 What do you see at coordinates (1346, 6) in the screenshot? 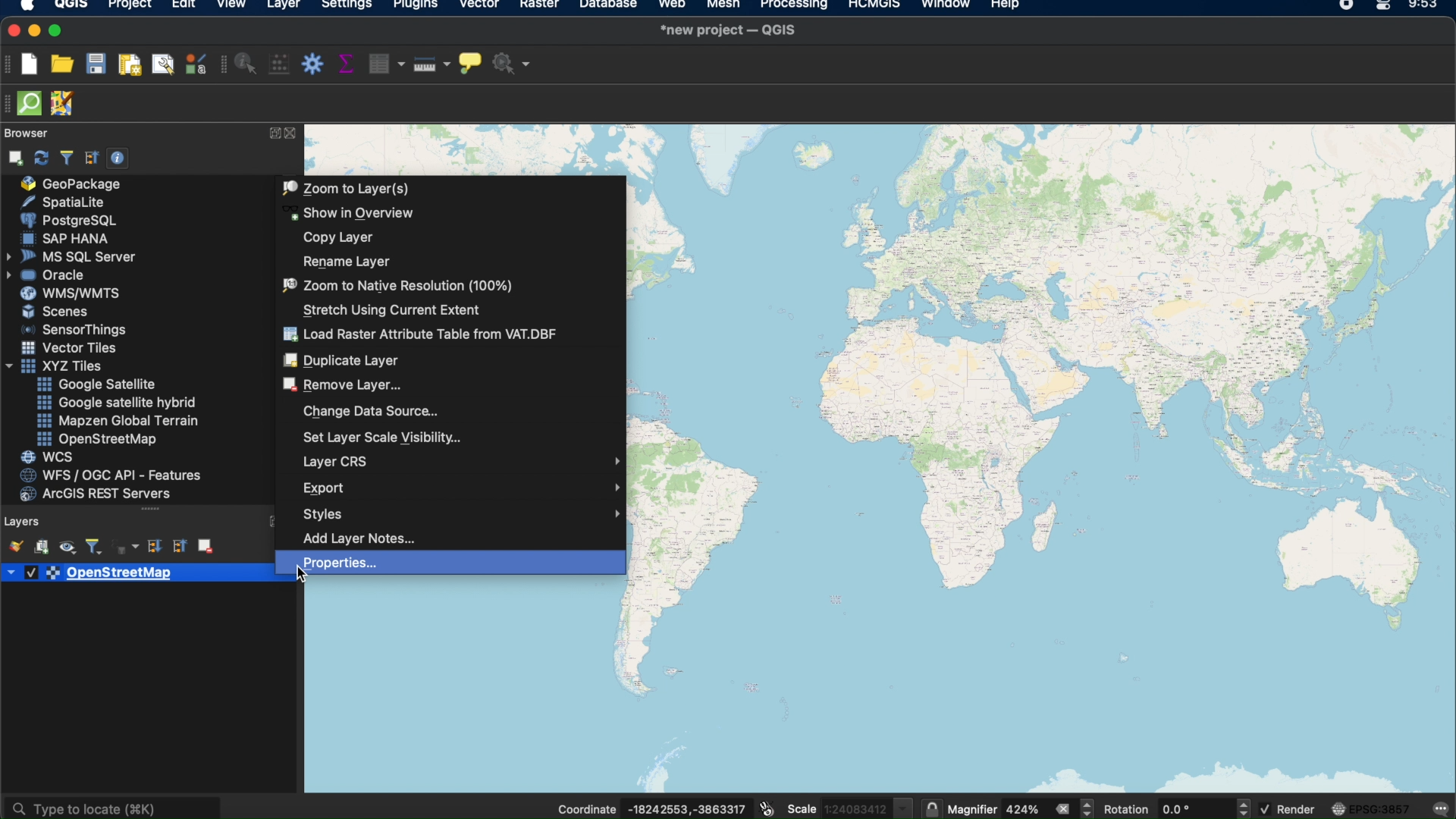
I see `recorder icon` at bounding box center [1346, 6].